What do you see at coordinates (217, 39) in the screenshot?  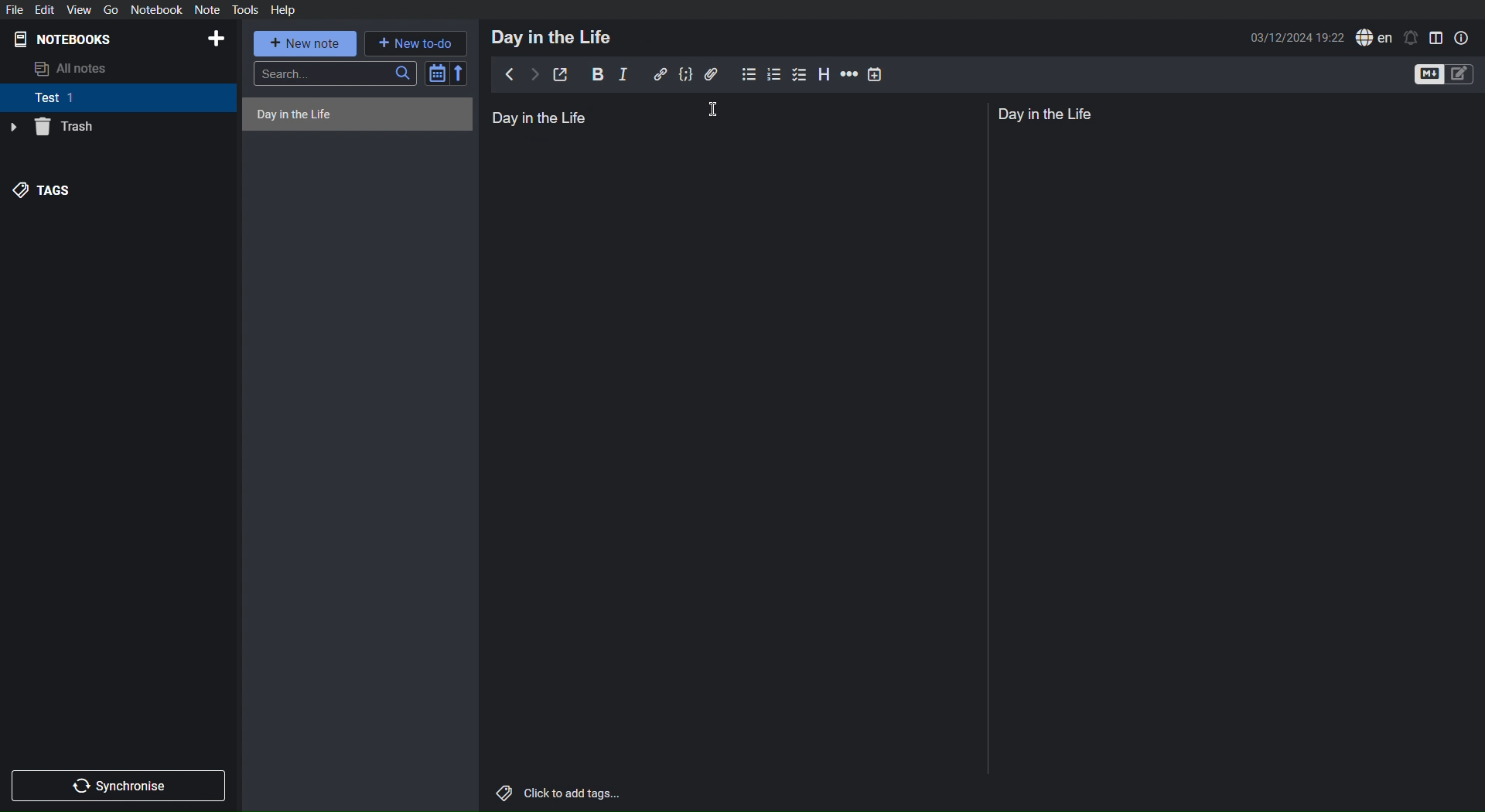 I see `Add Notebook` at bounding box center [217, 39].